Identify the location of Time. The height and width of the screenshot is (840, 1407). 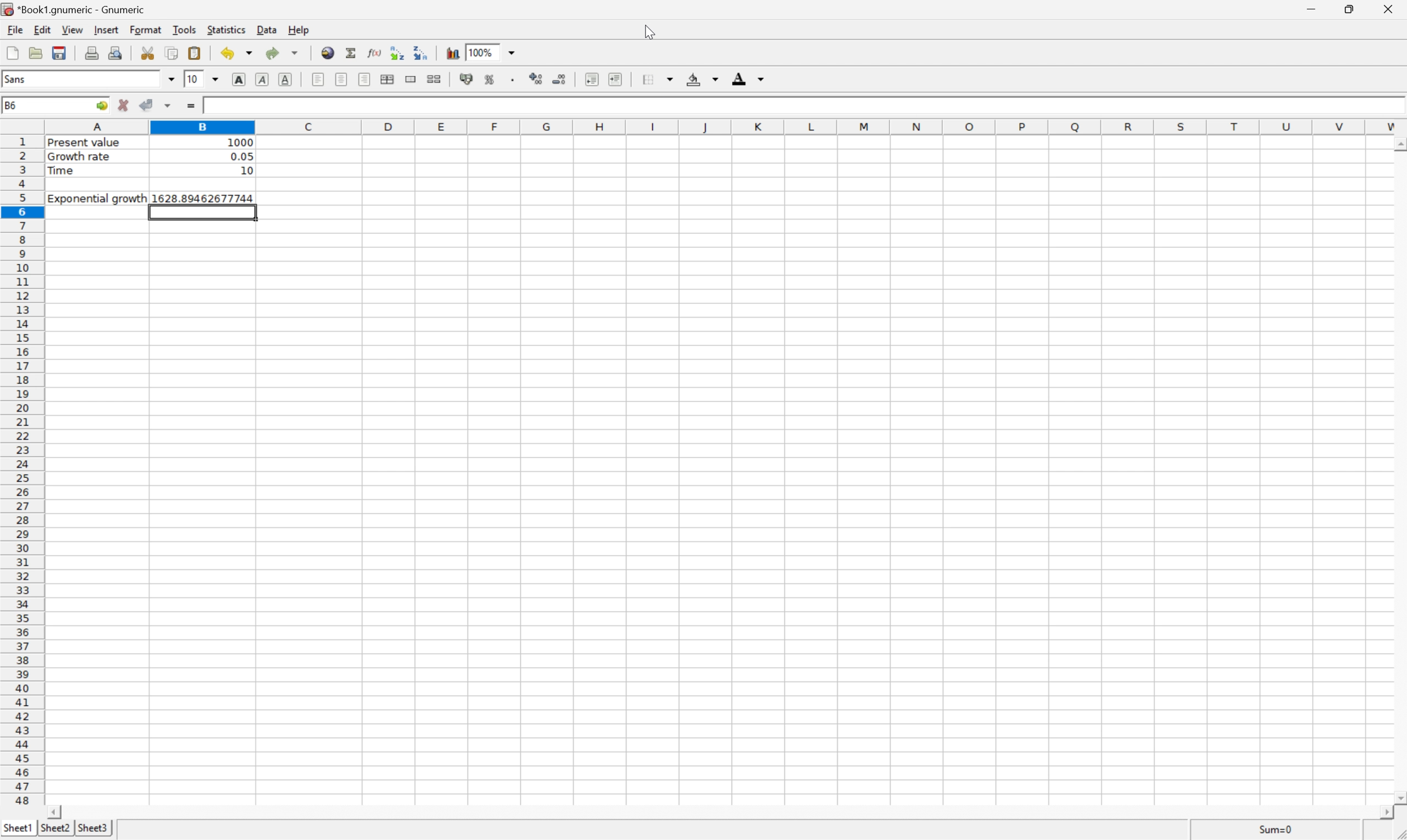
(62, 170).